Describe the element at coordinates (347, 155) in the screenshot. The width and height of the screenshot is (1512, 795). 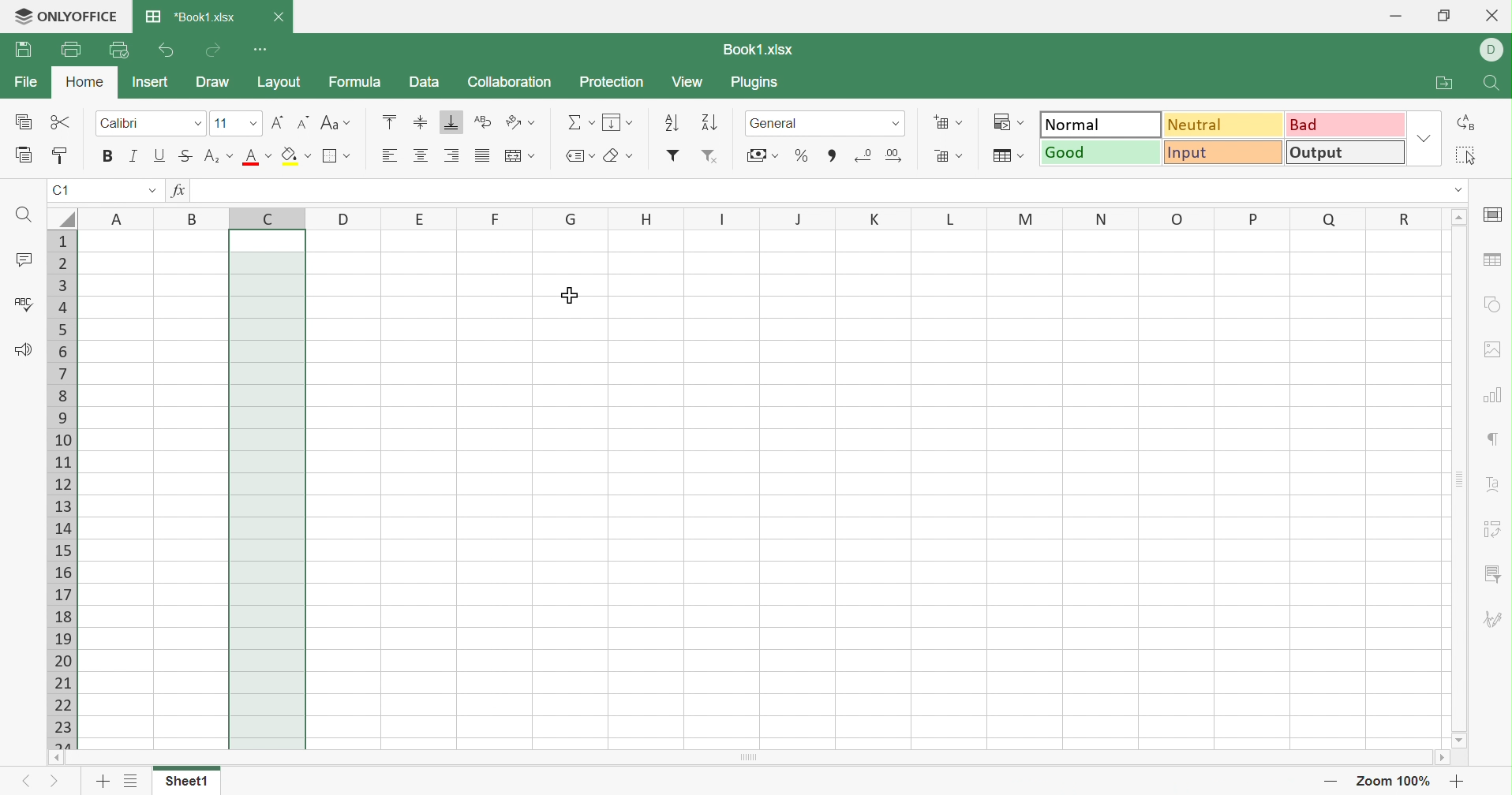
I see `Drop Down` at that location.